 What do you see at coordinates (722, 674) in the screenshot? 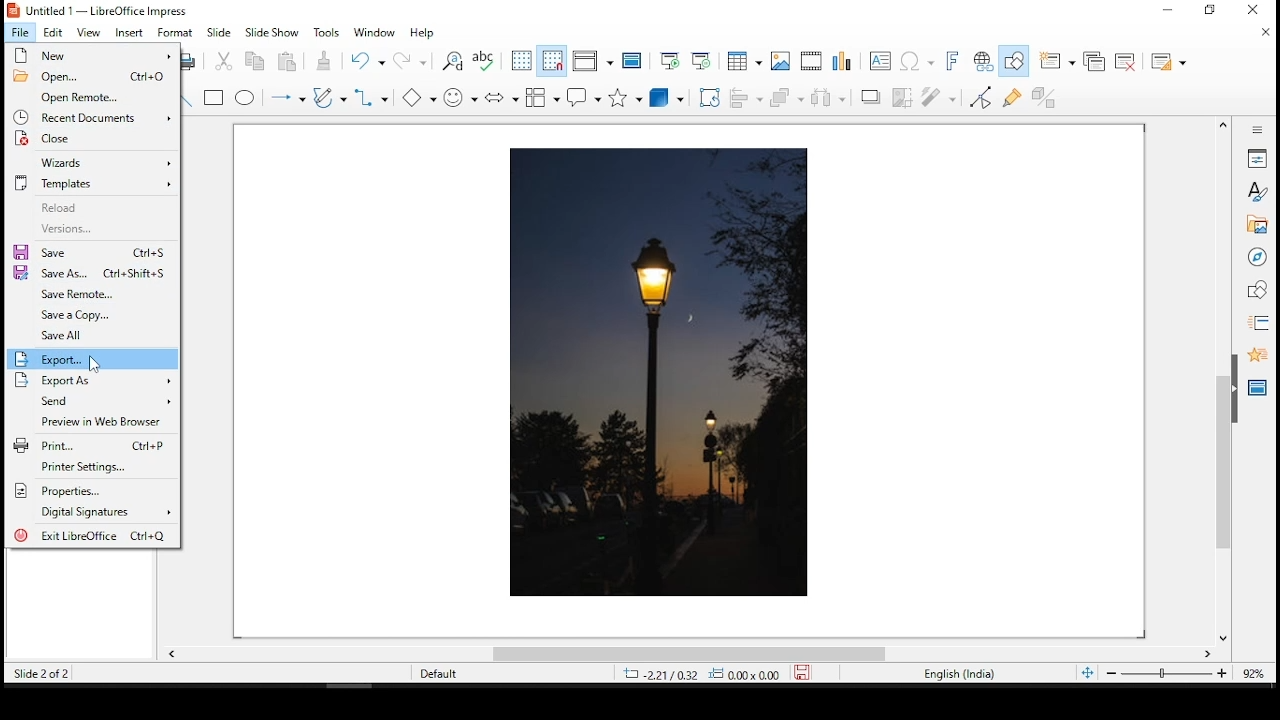
I see `Dimensions` at bounding box center [722, 674].